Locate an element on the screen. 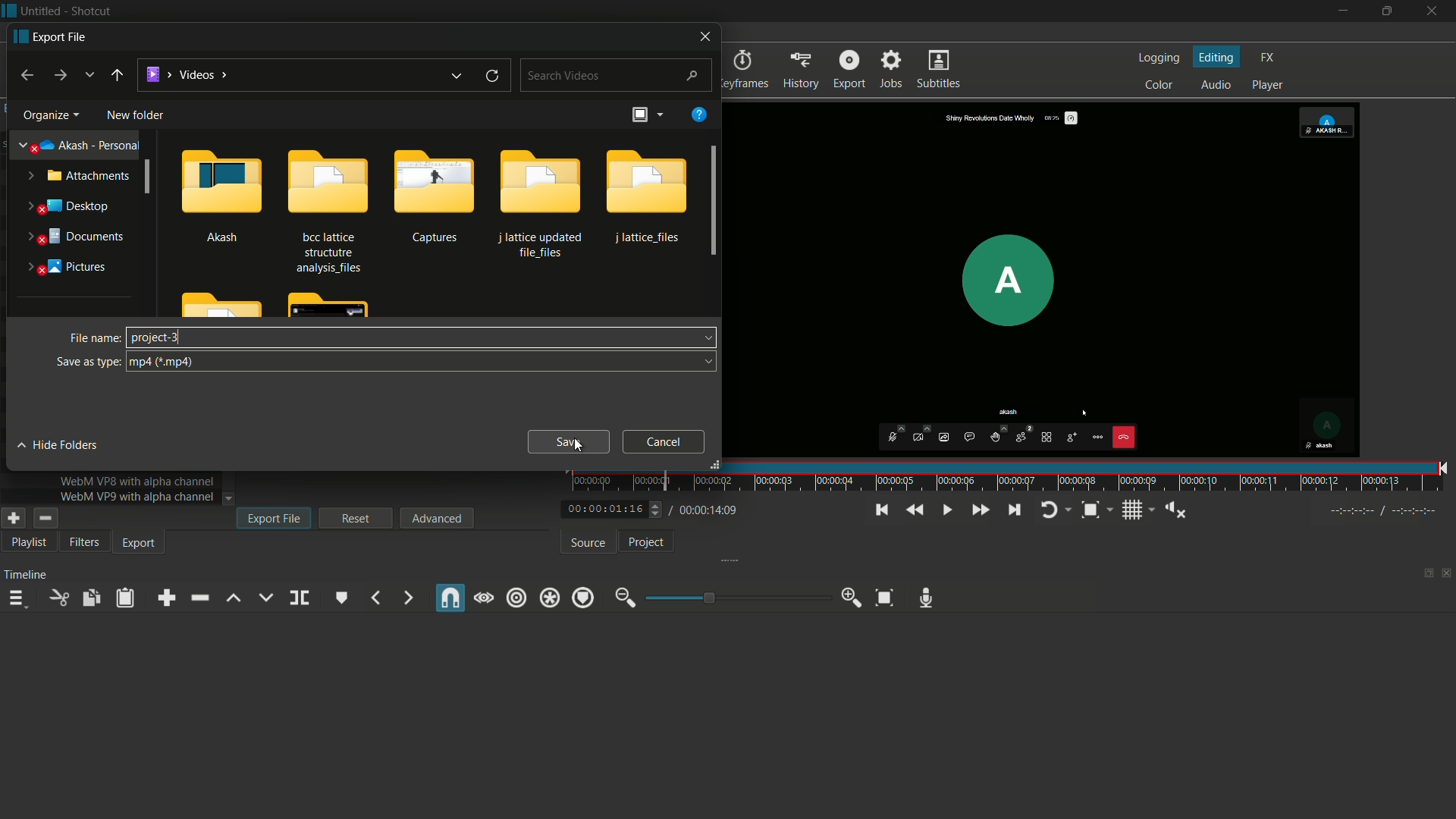 Image resolution: width=1456 pixels, height=819 pixels. maximize is located at coordinates (1385, 11).